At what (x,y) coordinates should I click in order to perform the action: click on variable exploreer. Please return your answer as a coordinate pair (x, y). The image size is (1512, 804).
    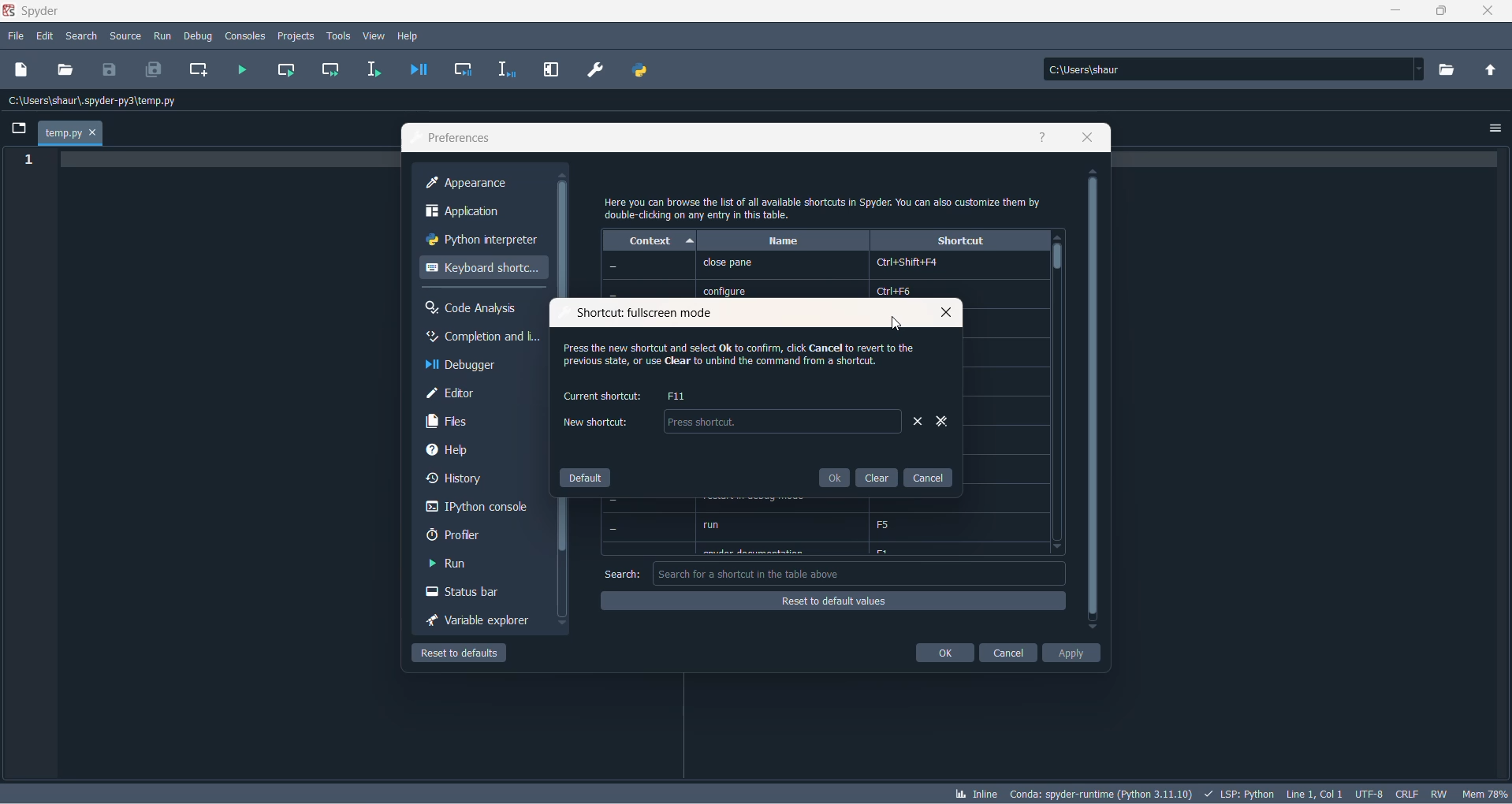
    Looking at the image, I should click on (478, 623).